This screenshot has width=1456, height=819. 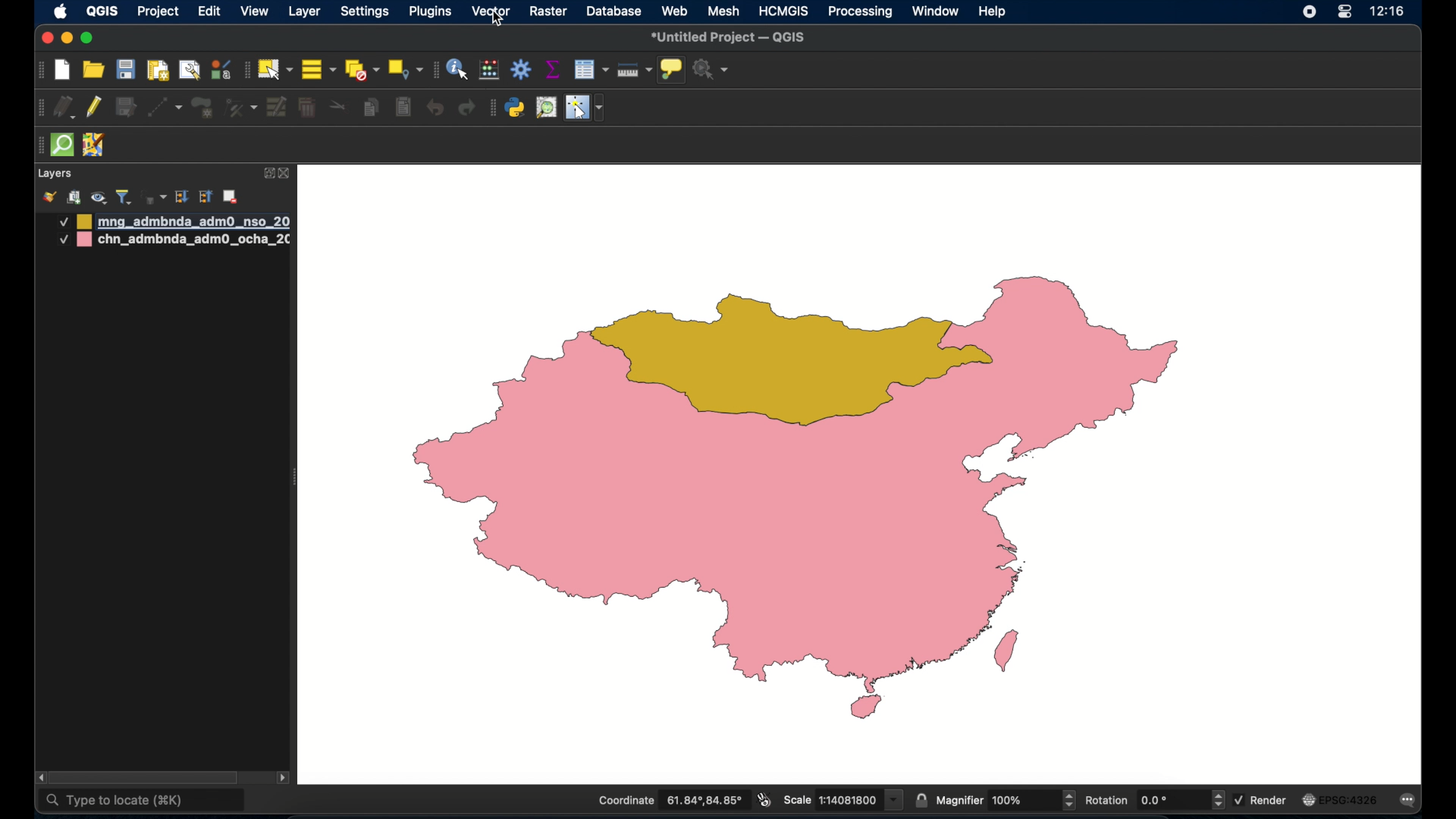 What do you see at coordinates (861, 13) in the screenshot?
I see `processing` at bounding box center [861, 13].